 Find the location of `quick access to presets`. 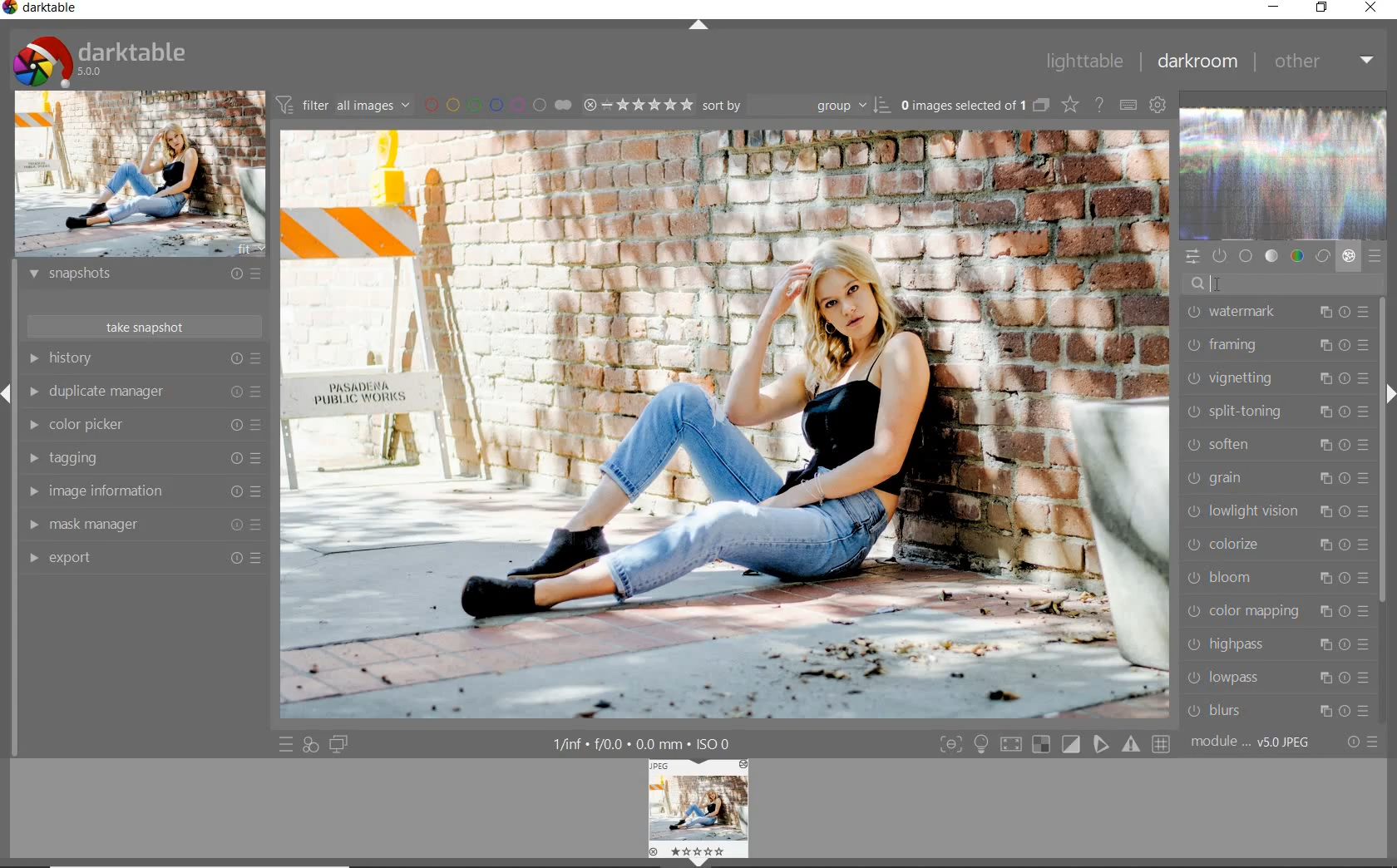

quick access to presets is located at coordinates (286, 744).